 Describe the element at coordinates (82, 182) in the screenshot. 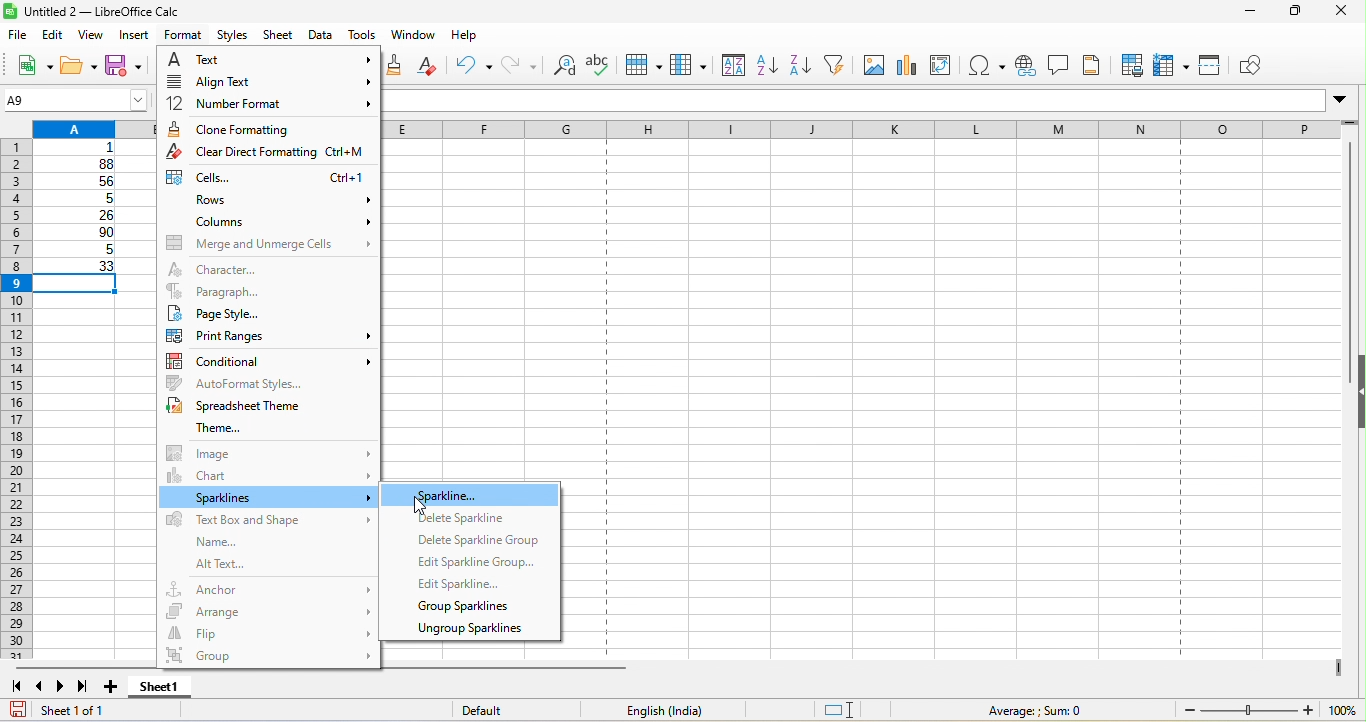

I see `56` at that location.